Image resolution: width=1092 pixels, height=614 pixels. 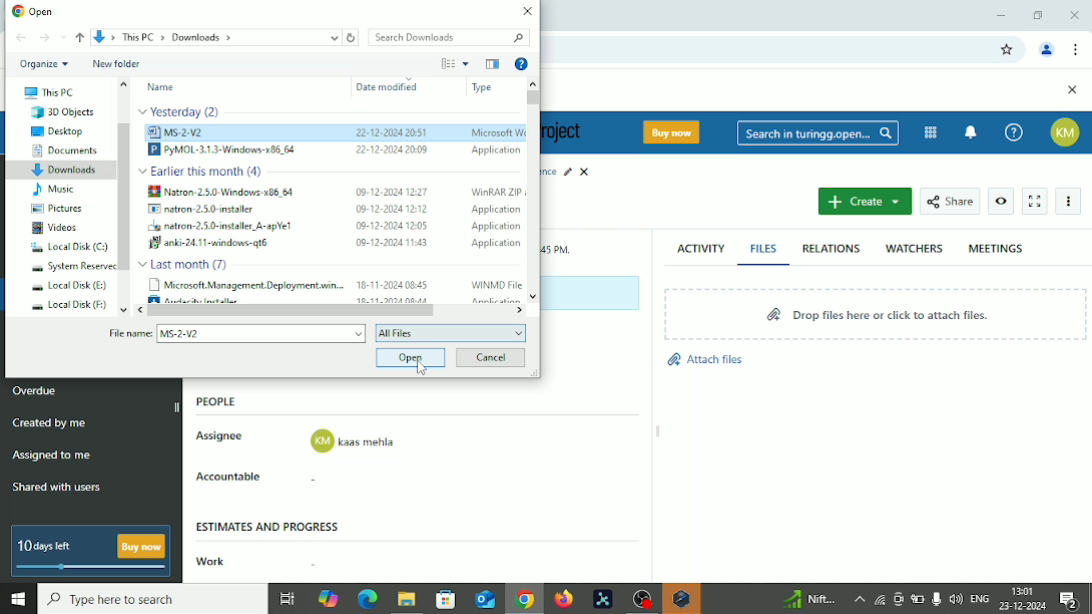 What do you see at coordinates (831, 249) in the screenshot?
I see `Relations` at bounding box center [831, 249].